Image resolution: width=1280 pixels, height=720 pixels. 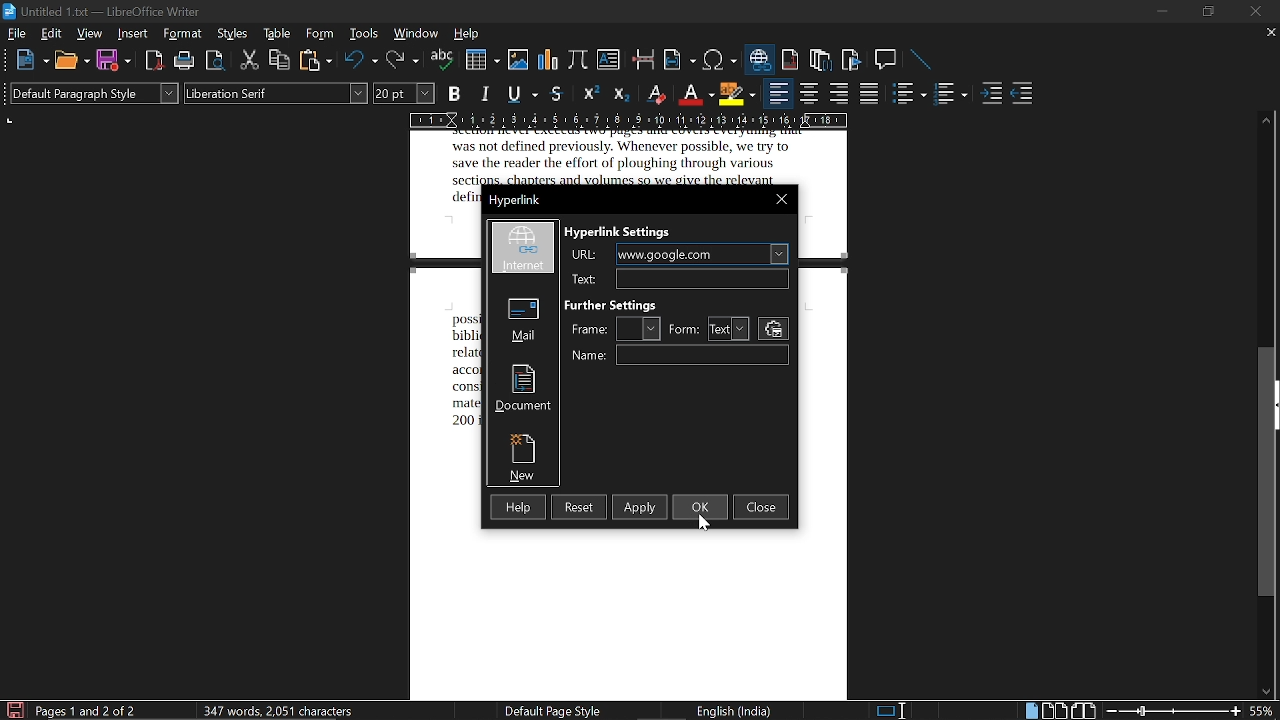 I want to click on strikethrough, so click(x=556, y=94).